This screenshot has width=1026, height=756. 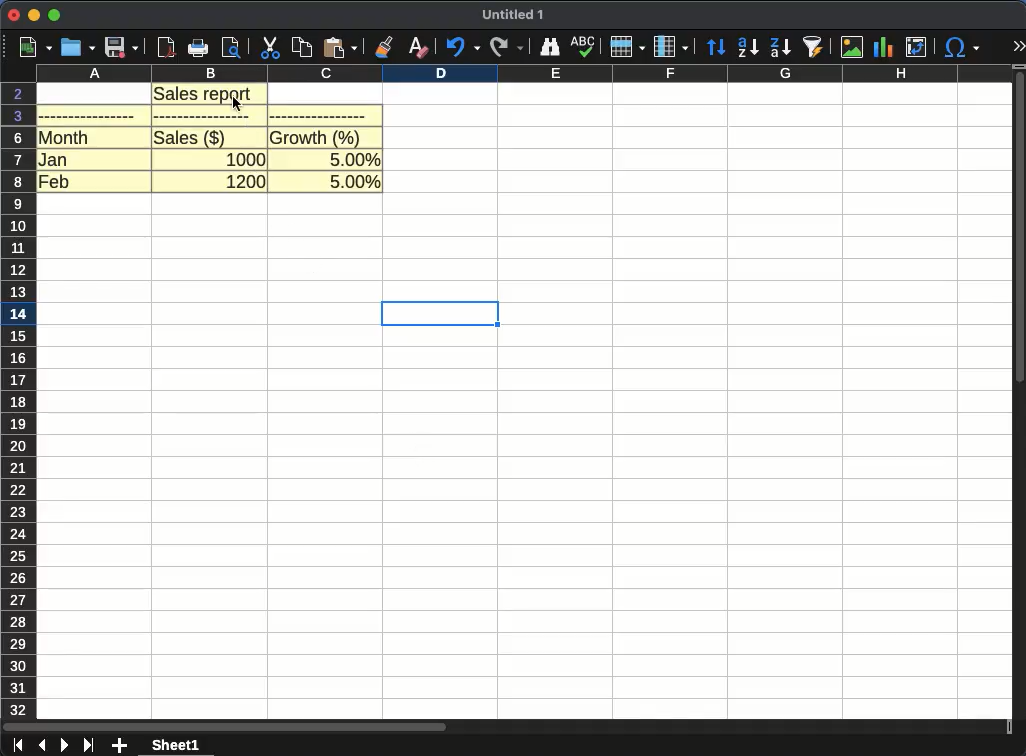 What do you see at coordinates (854, 47) in the screenshot?
I see `image` at bounding box center [854, 47].